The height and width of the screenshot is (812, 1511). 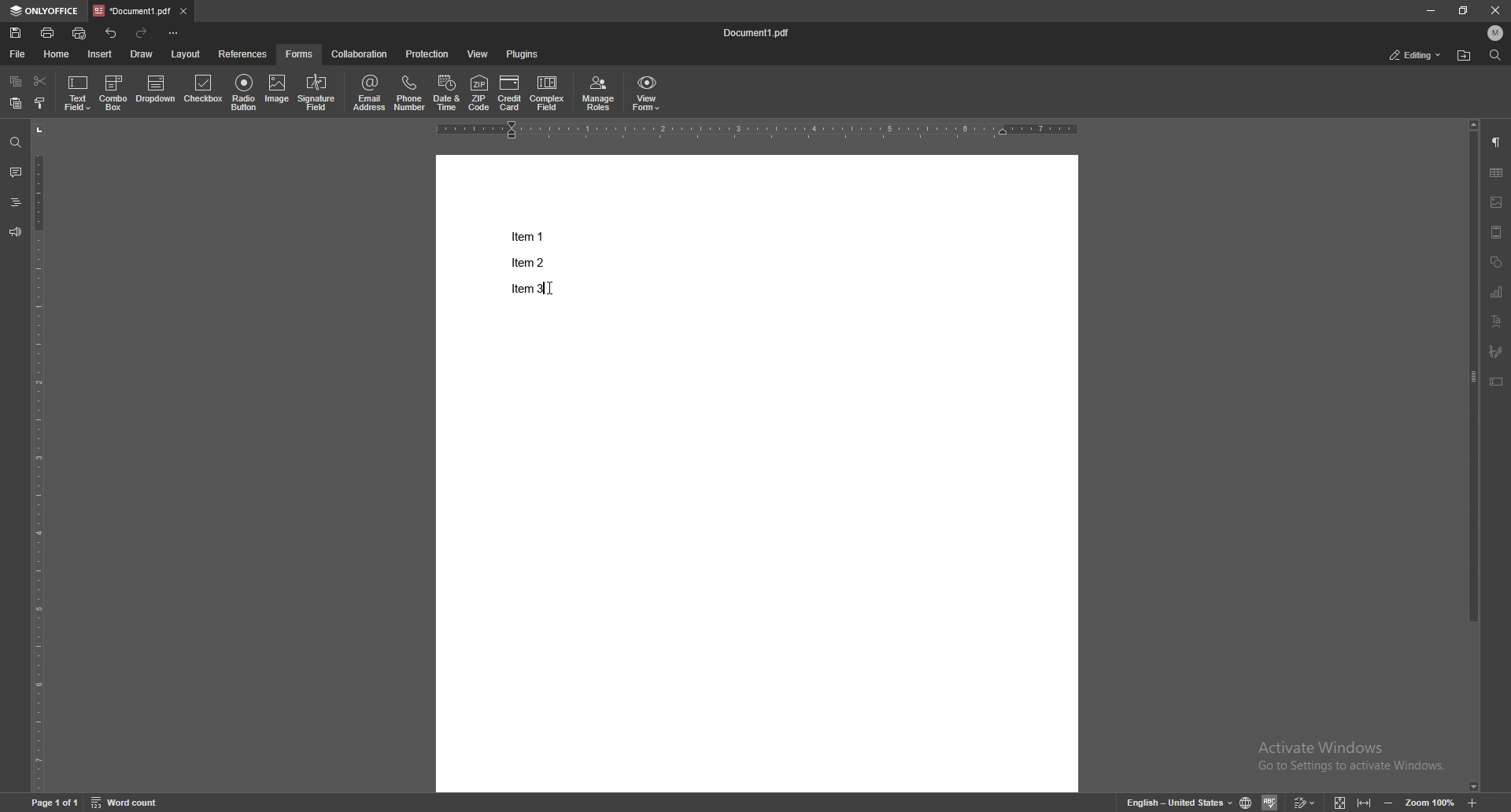 I want to click on view form, so click(x=648, y=94).